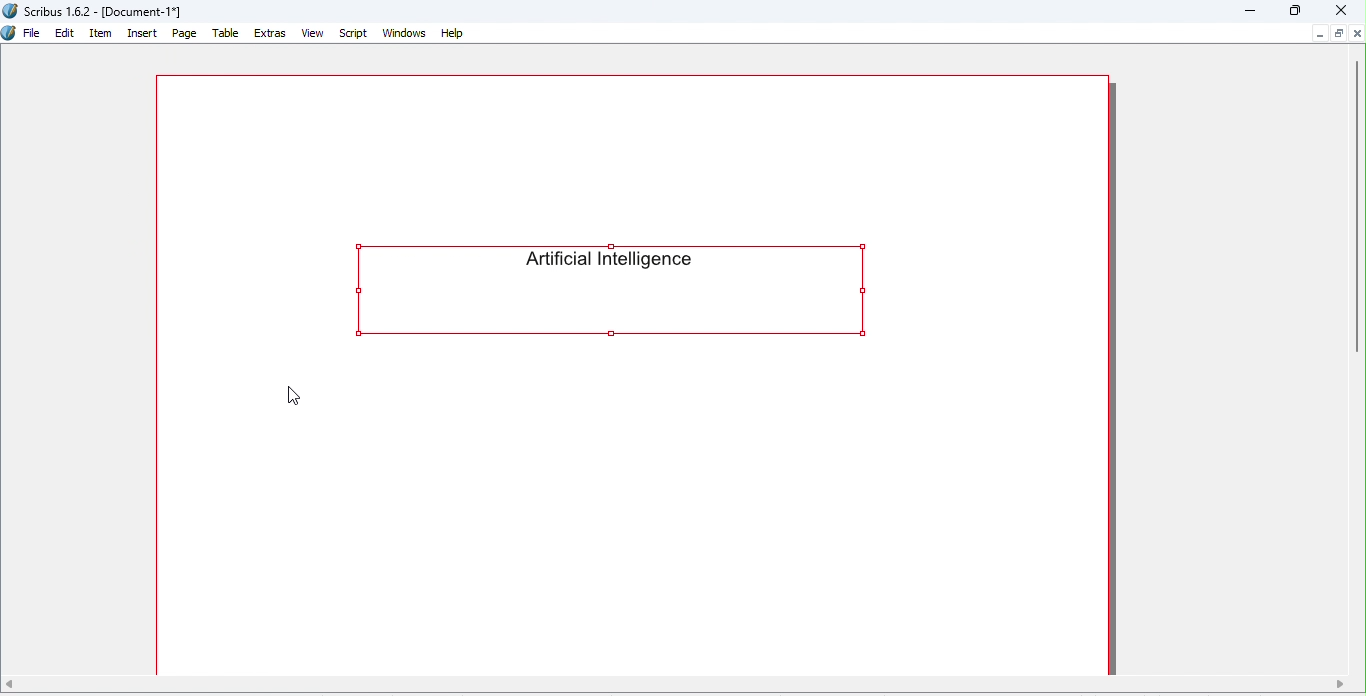 The height and width of the screenshot is (696, 1366). I want to click on Icon, so click(9, 34).